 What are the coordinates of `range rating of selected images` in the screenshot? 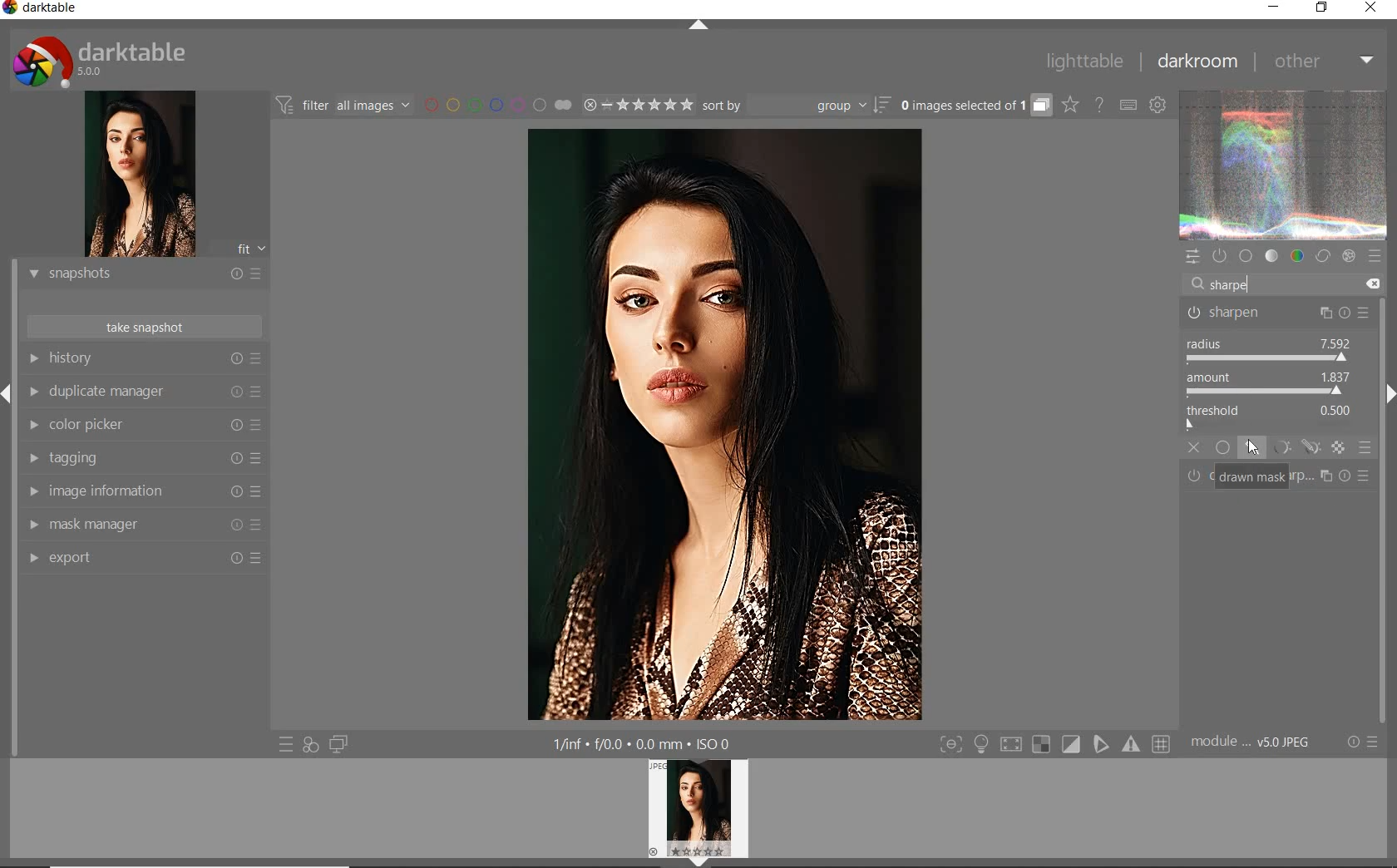 It's located at (635, 106).